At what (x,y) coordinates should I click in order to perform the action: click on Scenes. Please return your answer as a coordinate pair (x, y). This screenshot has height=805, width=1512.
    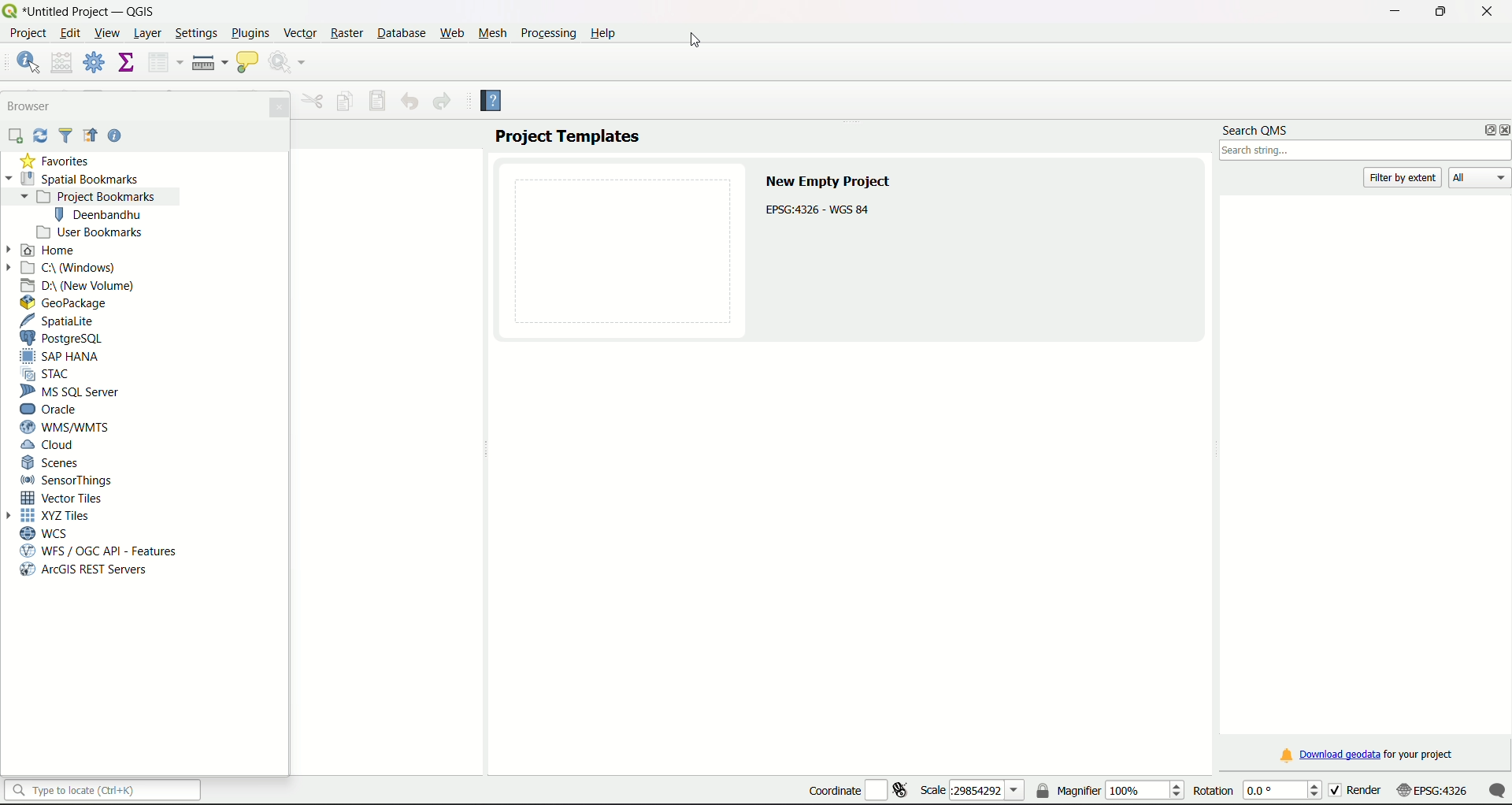
    Looking at the image, I should click on (55, 462).